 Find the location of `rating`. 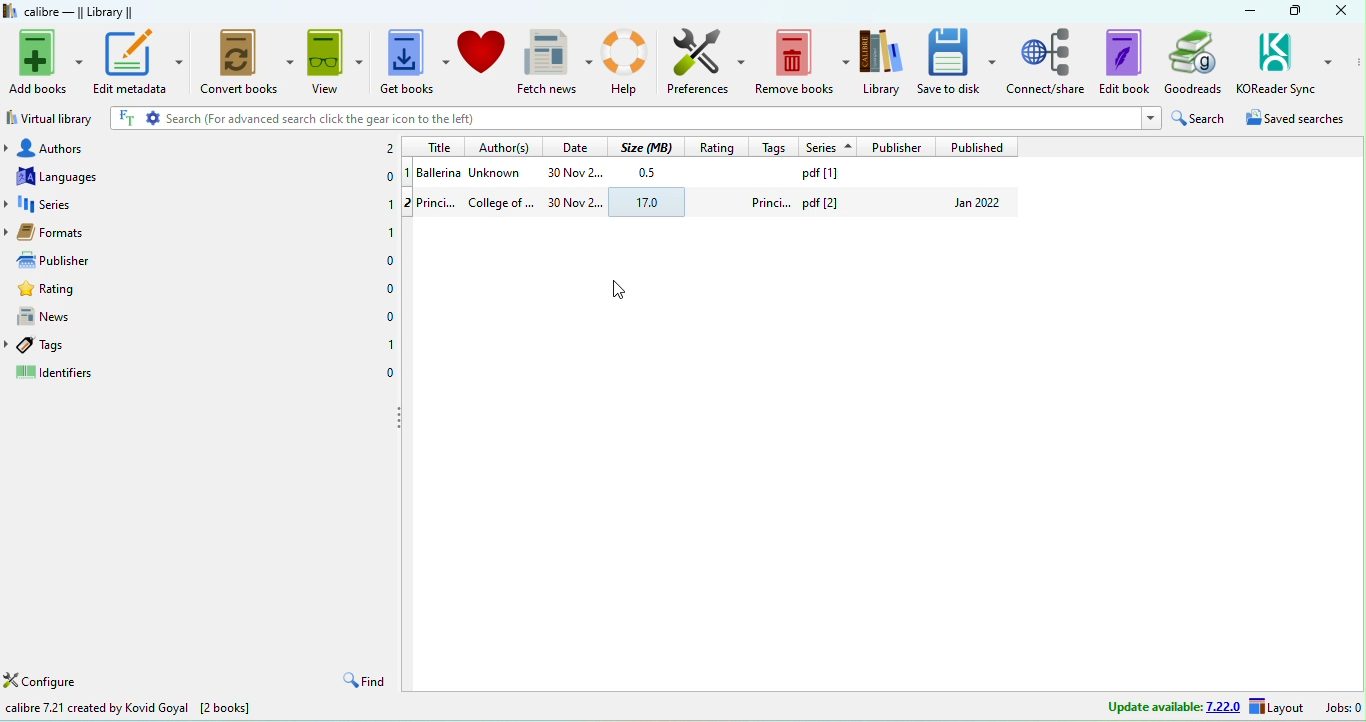

rating is located at coordinates (79, 287).